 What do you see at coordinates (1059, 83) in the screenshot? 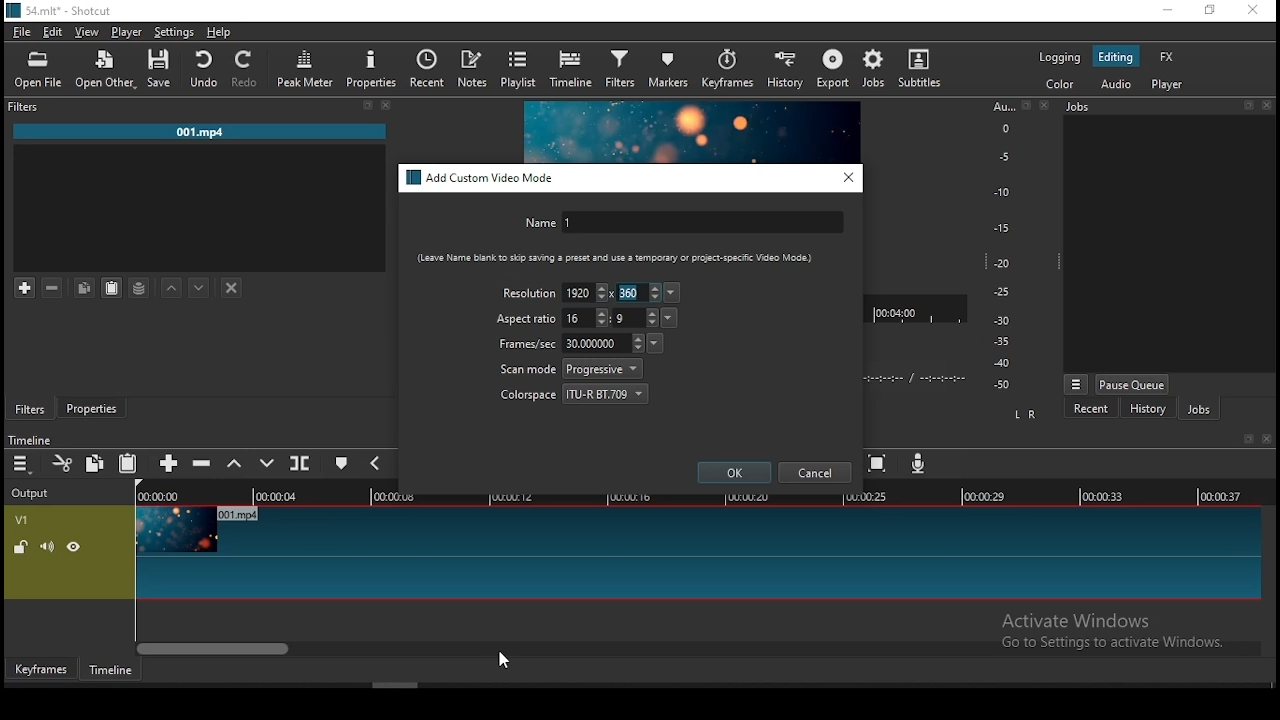
I see `color` at bounding box center [1059, 83].